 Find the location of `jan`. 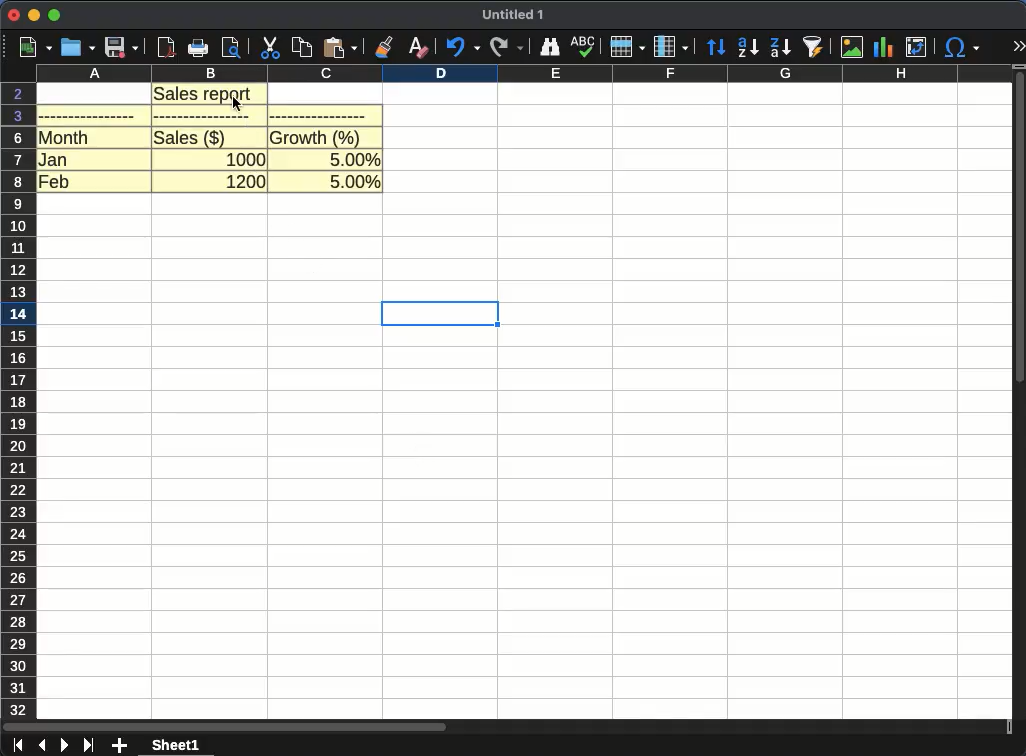

jan is located at coordinates (54, 158).